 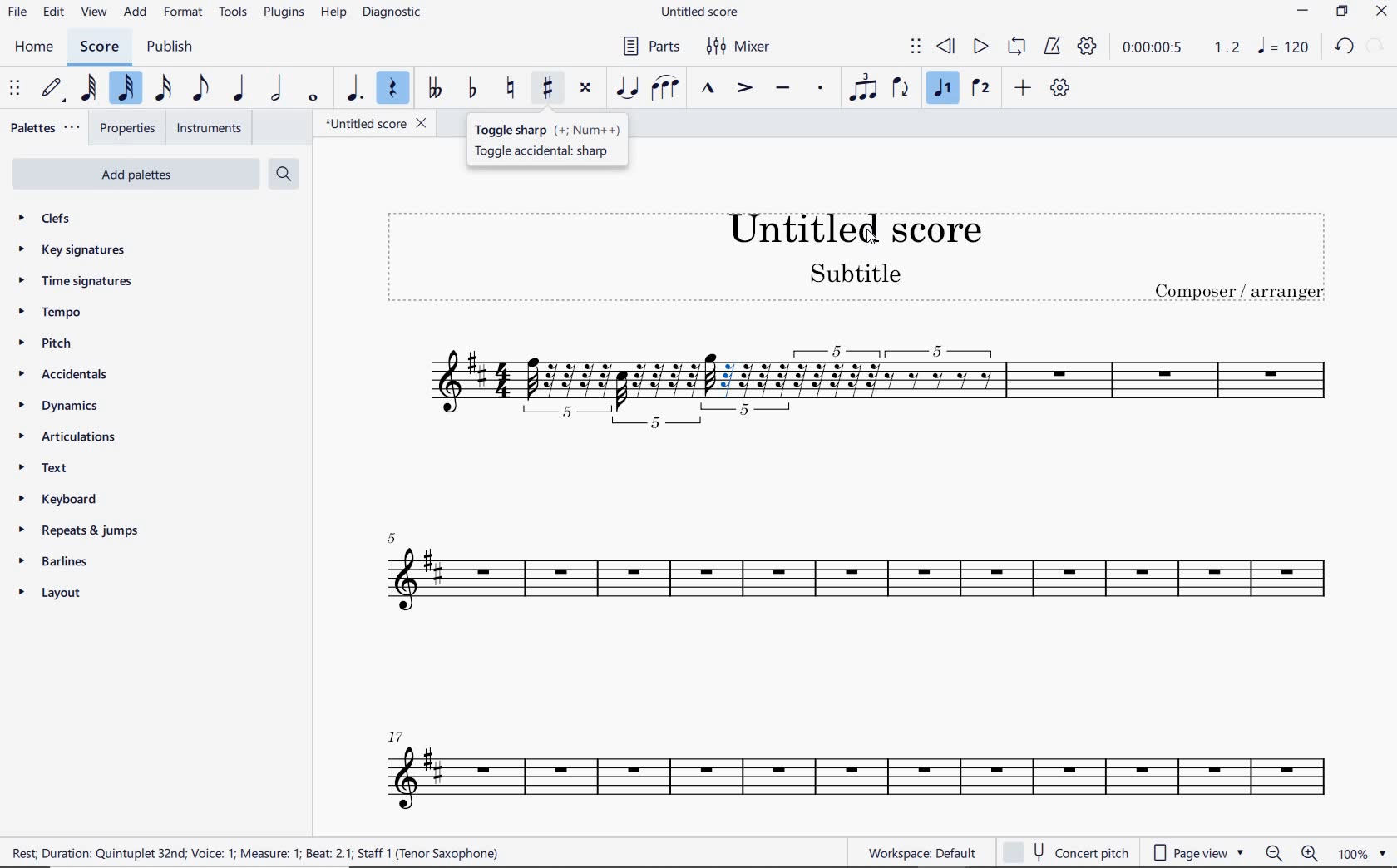 I want to click on PUBLISH, so click(x=171, y=49).